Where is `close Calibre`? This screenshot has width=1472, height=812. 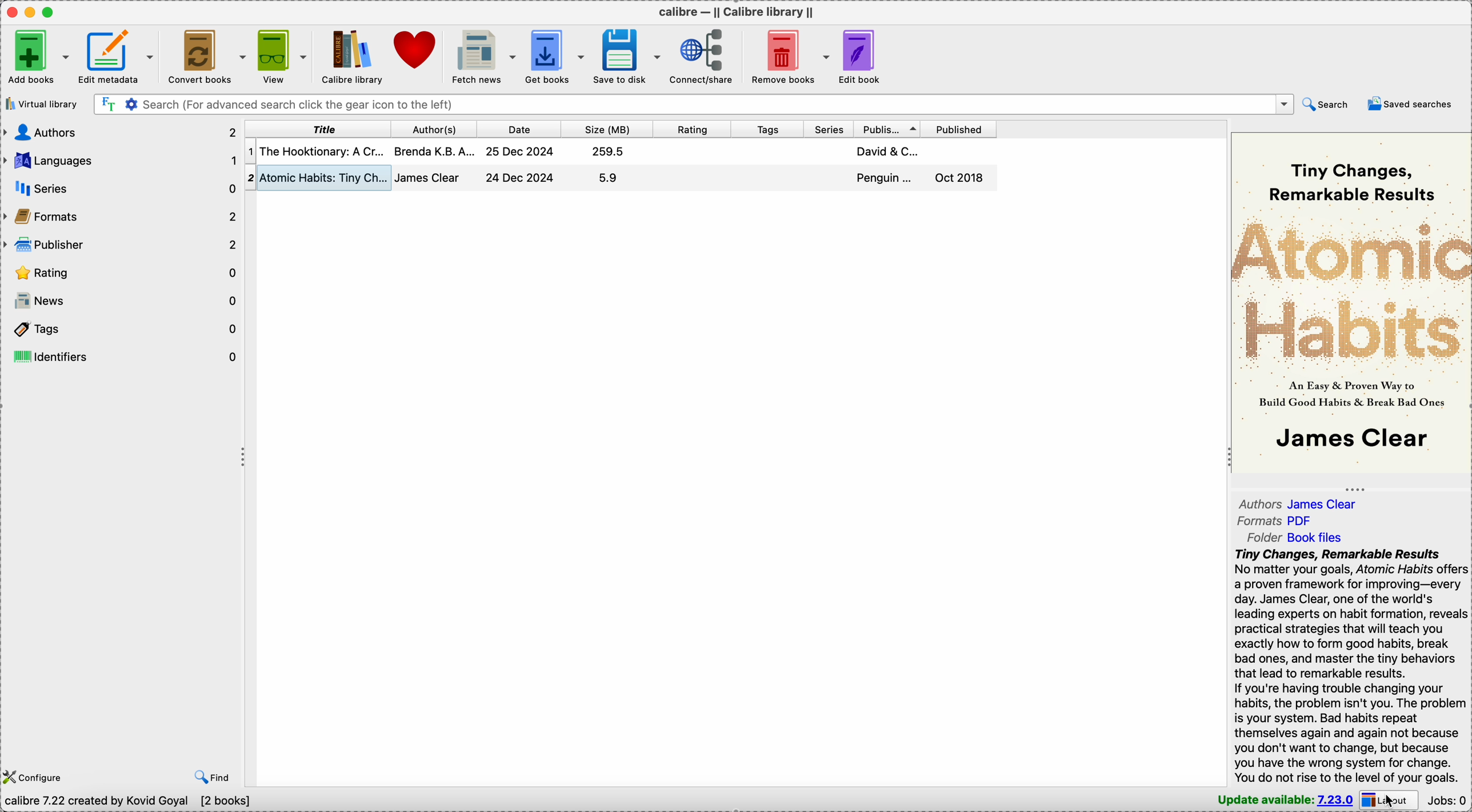 close Calibre is located at coordinates (10, 11).